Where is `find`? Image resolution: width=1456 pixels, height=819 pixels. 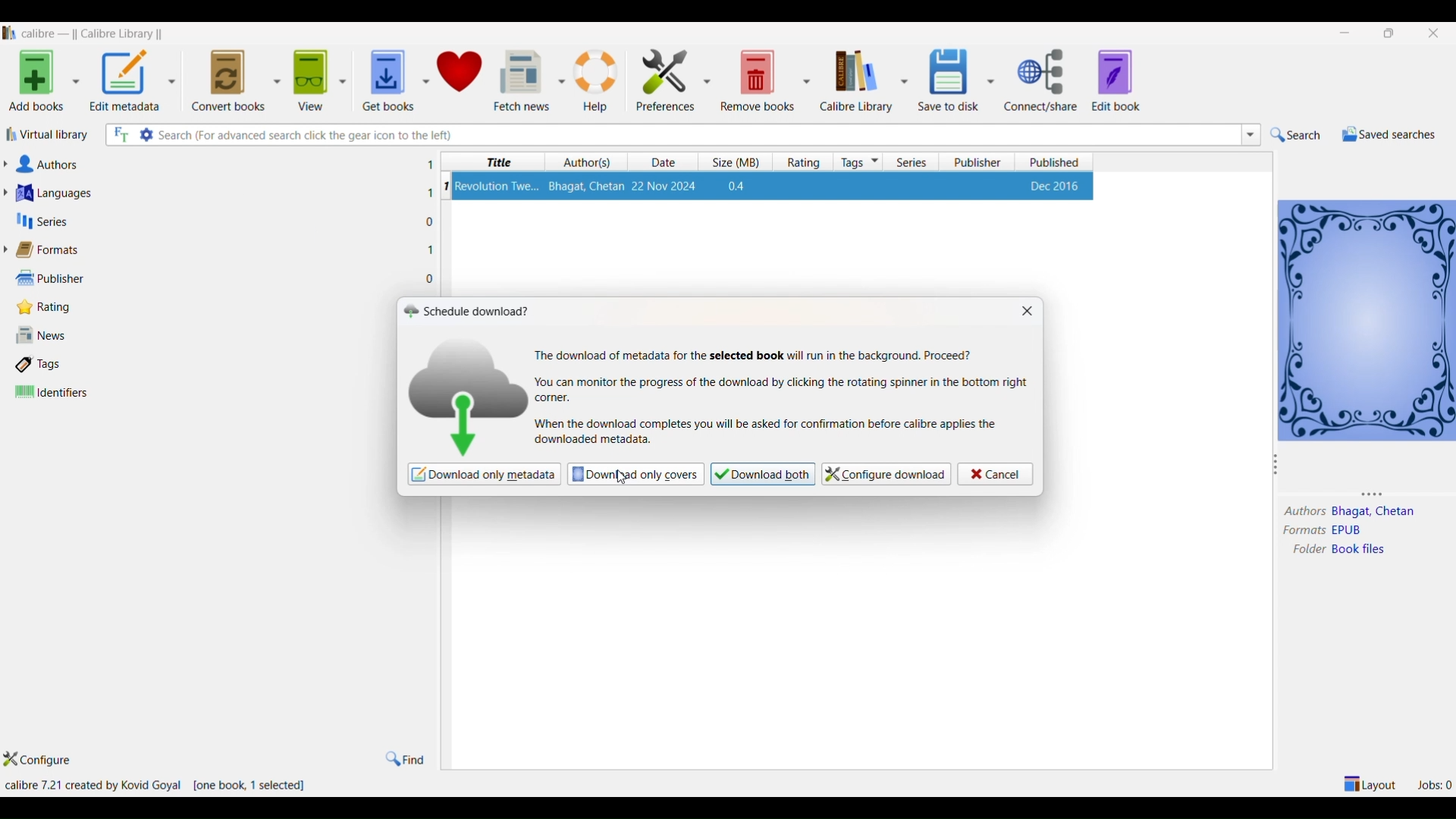
find is located at coordinates (404, 758).